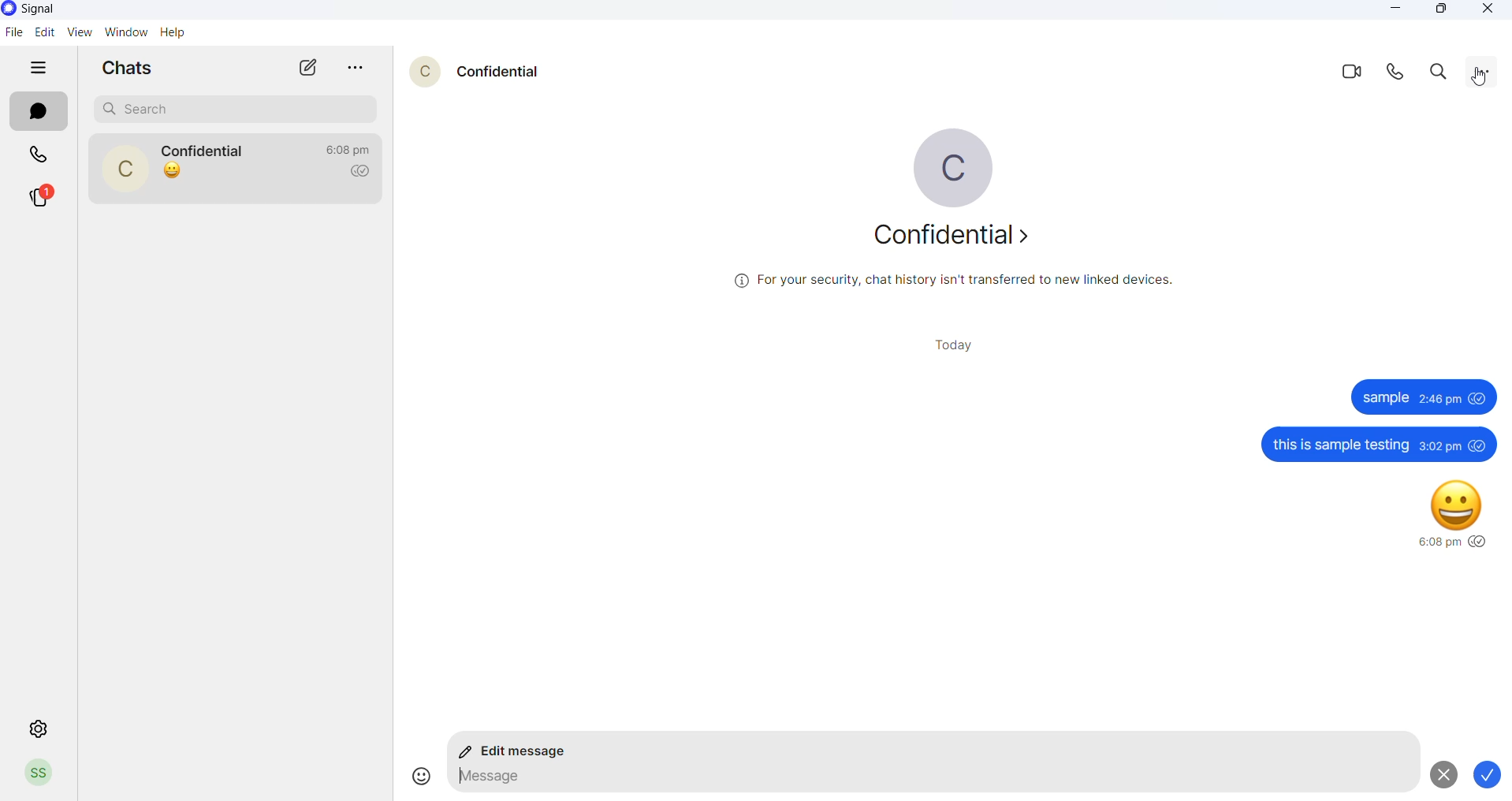 Image resolution: width=1512 pixels, height=801 pixels. I want to click on sample, so click(1386, 399).